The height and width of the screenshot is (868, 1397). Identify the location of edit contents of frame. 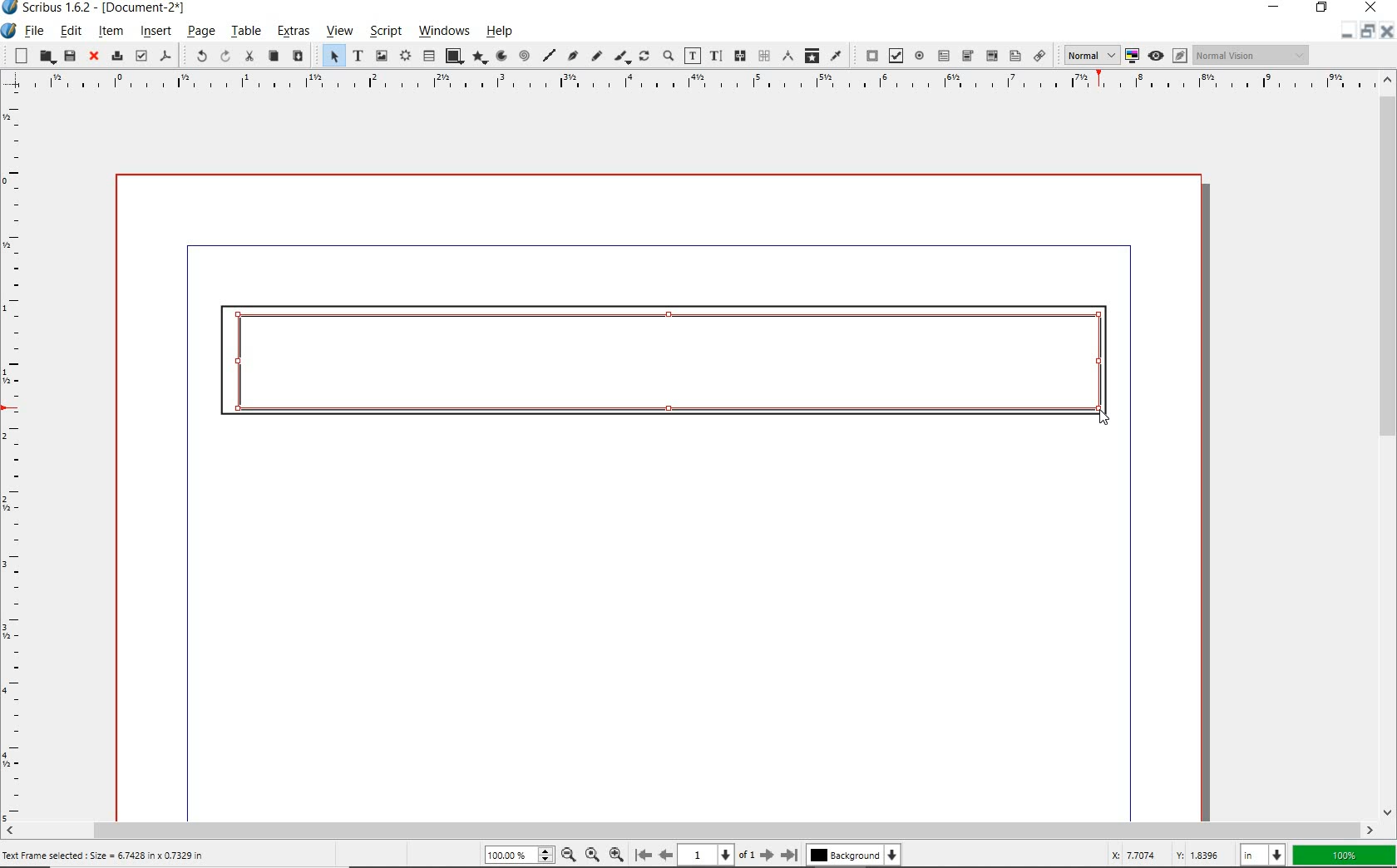
(692, 56).